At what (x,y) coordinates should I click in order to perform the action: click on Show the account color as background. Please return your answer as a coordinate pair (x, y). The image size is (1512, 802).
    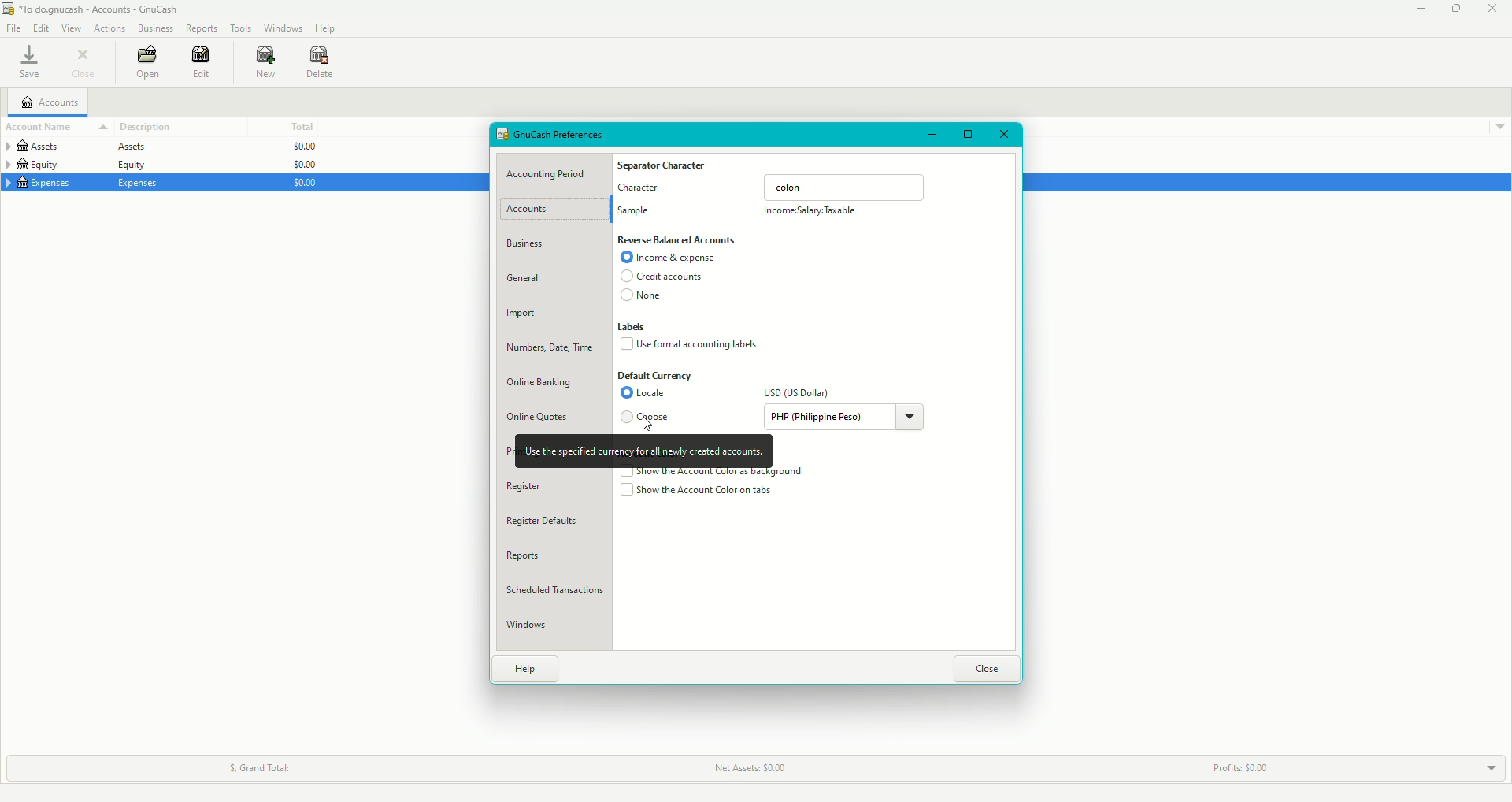
    Looking at the image, I should click on (713, 473).